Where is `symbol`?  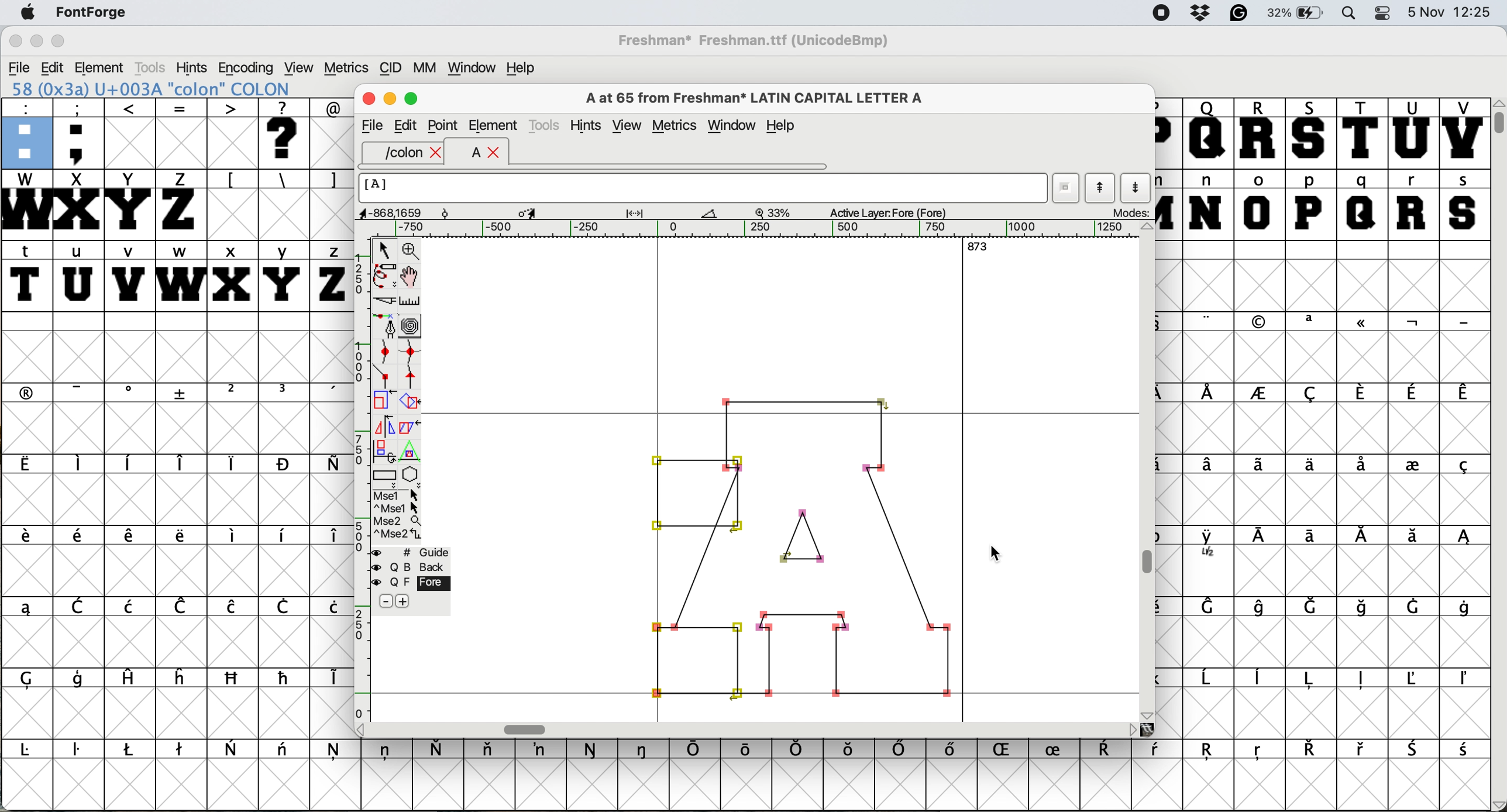
symbol is located at coordinates (330, 607).